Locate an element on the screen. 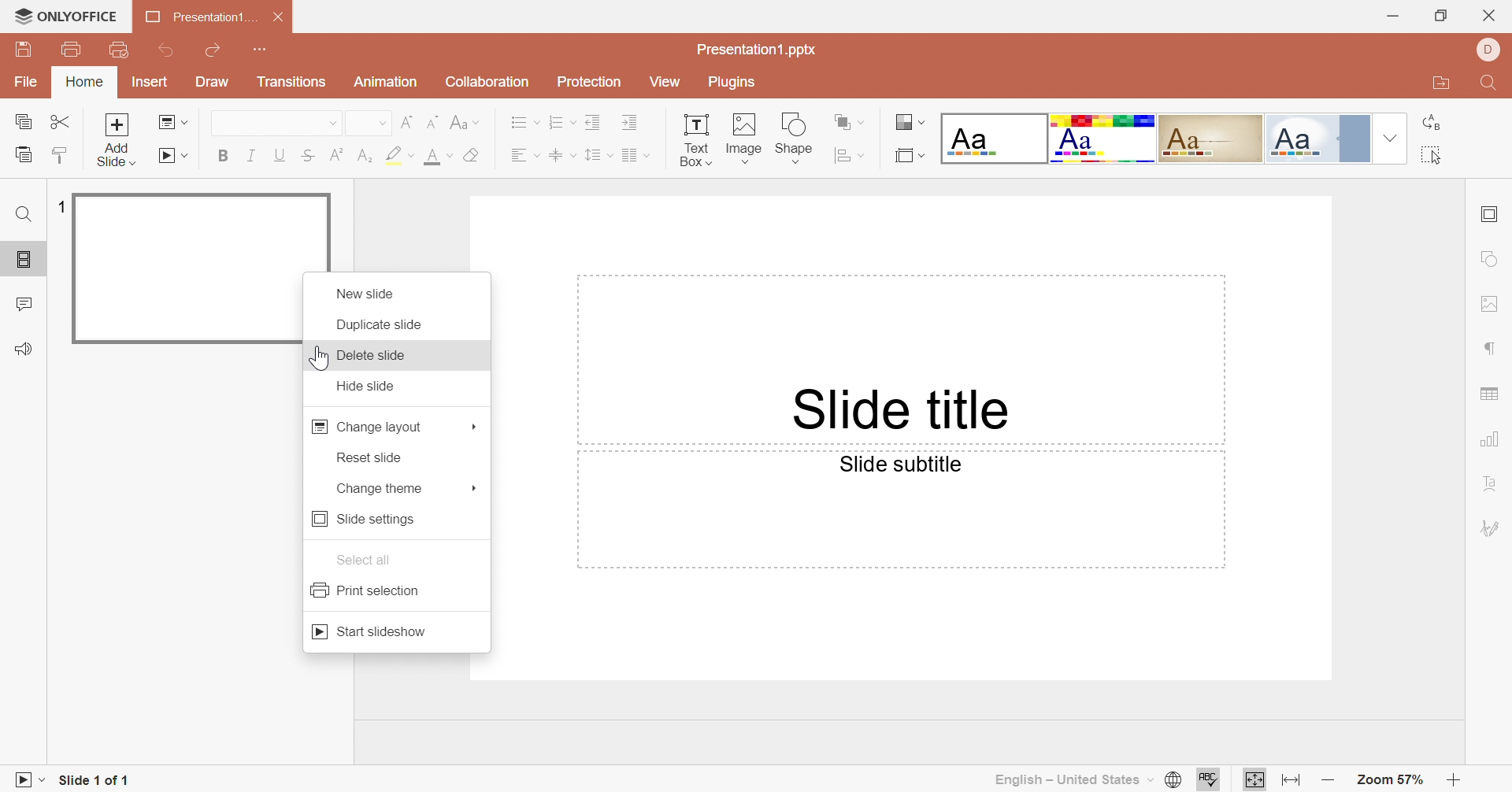 The height and width of the screenshot is (792, 1512). Hide slide is located at coordinates (369, 386).